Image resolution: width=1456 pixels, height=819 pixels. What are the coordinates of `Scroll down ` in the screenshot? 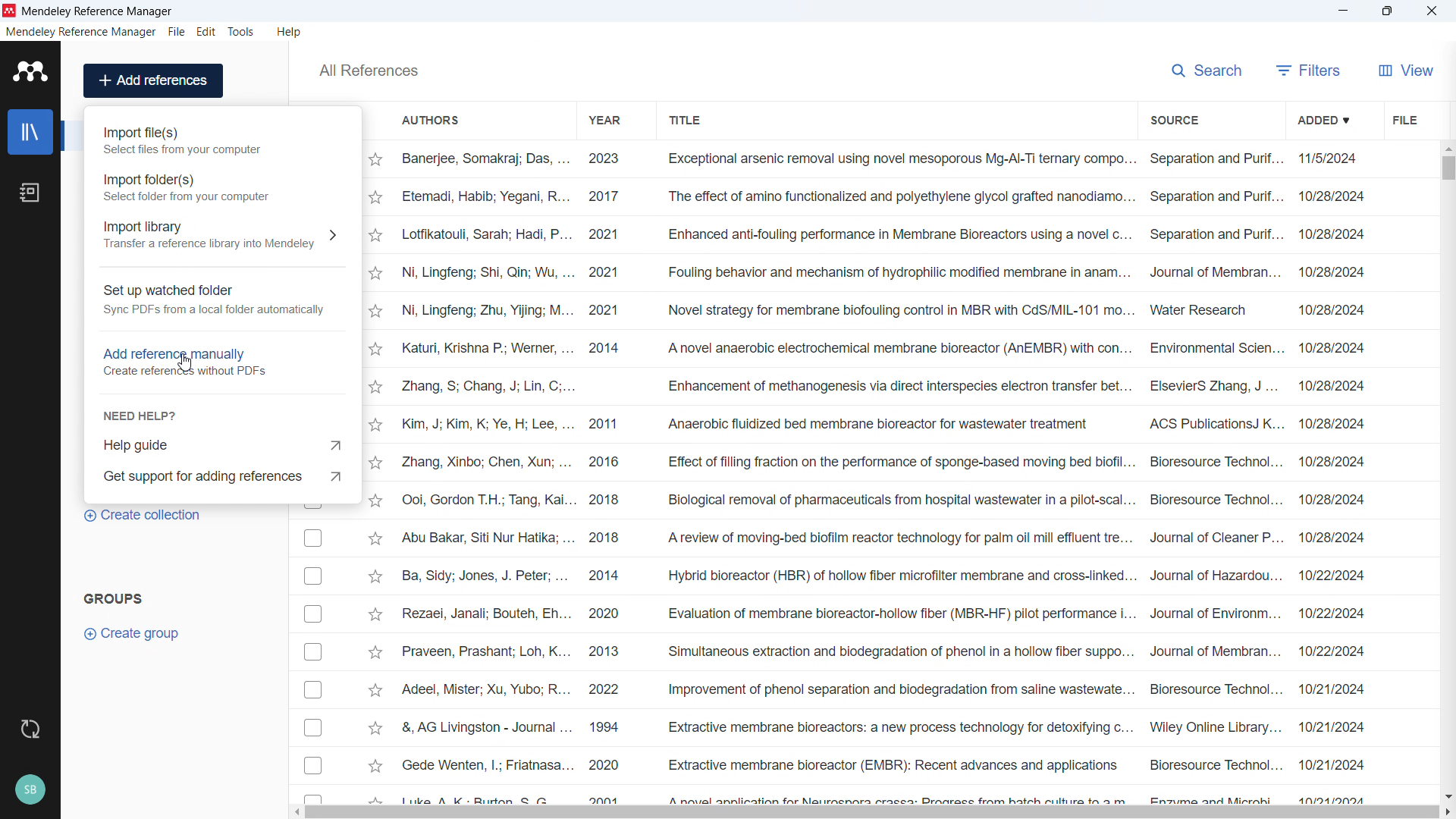 It's located at (1447, 796).